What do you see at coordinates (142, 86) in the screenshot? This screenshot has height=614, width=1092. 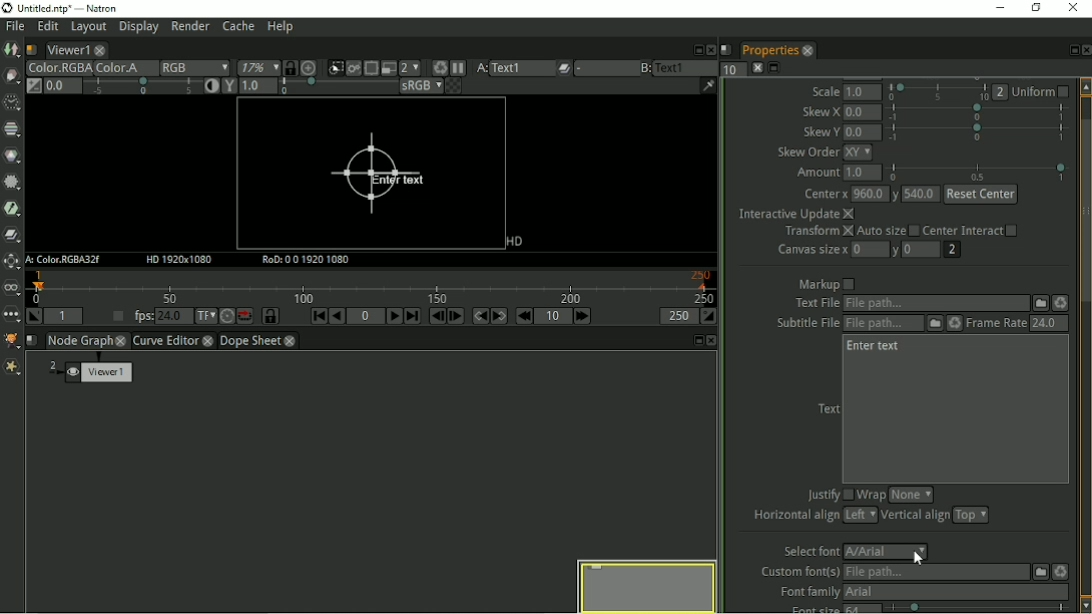 I see `selection bar` at bounding box center [142, 86].